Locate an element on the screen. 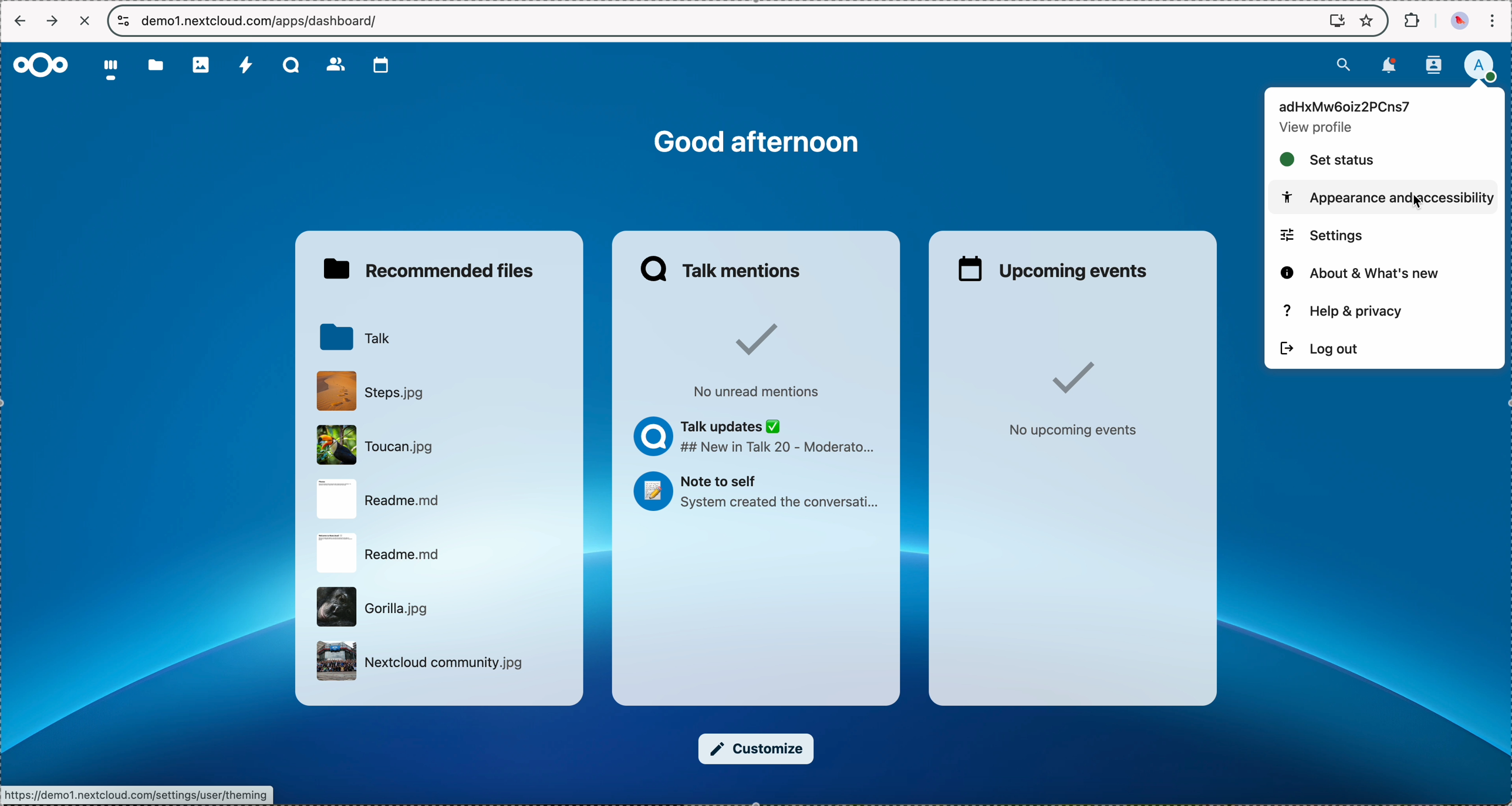 The height and width of the screenshot is (806, 1512). customize button is located at coordinates (756, 749).